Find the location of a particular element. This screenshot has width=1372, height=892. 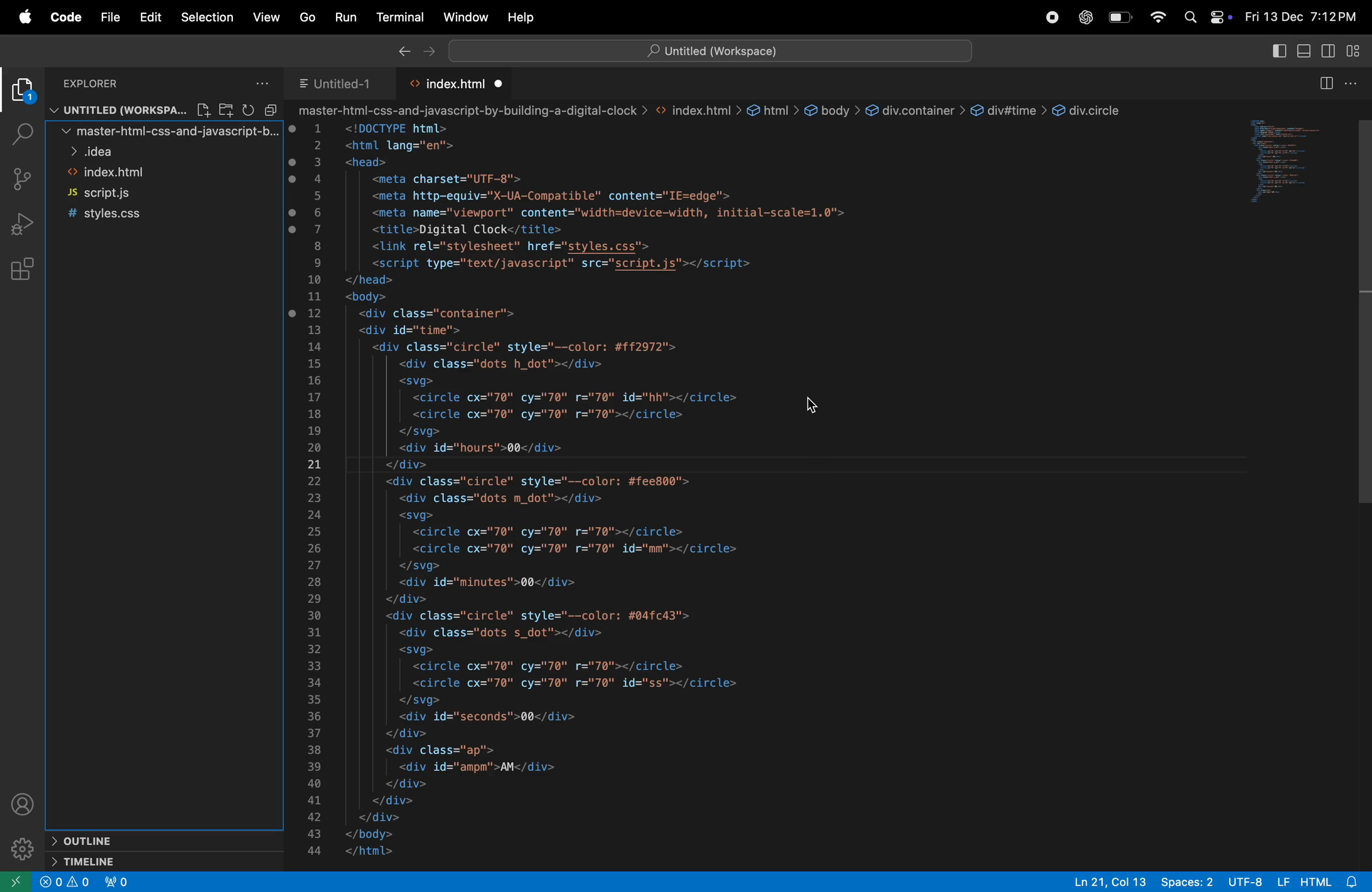

explorer is located at coordinates (125, 83).